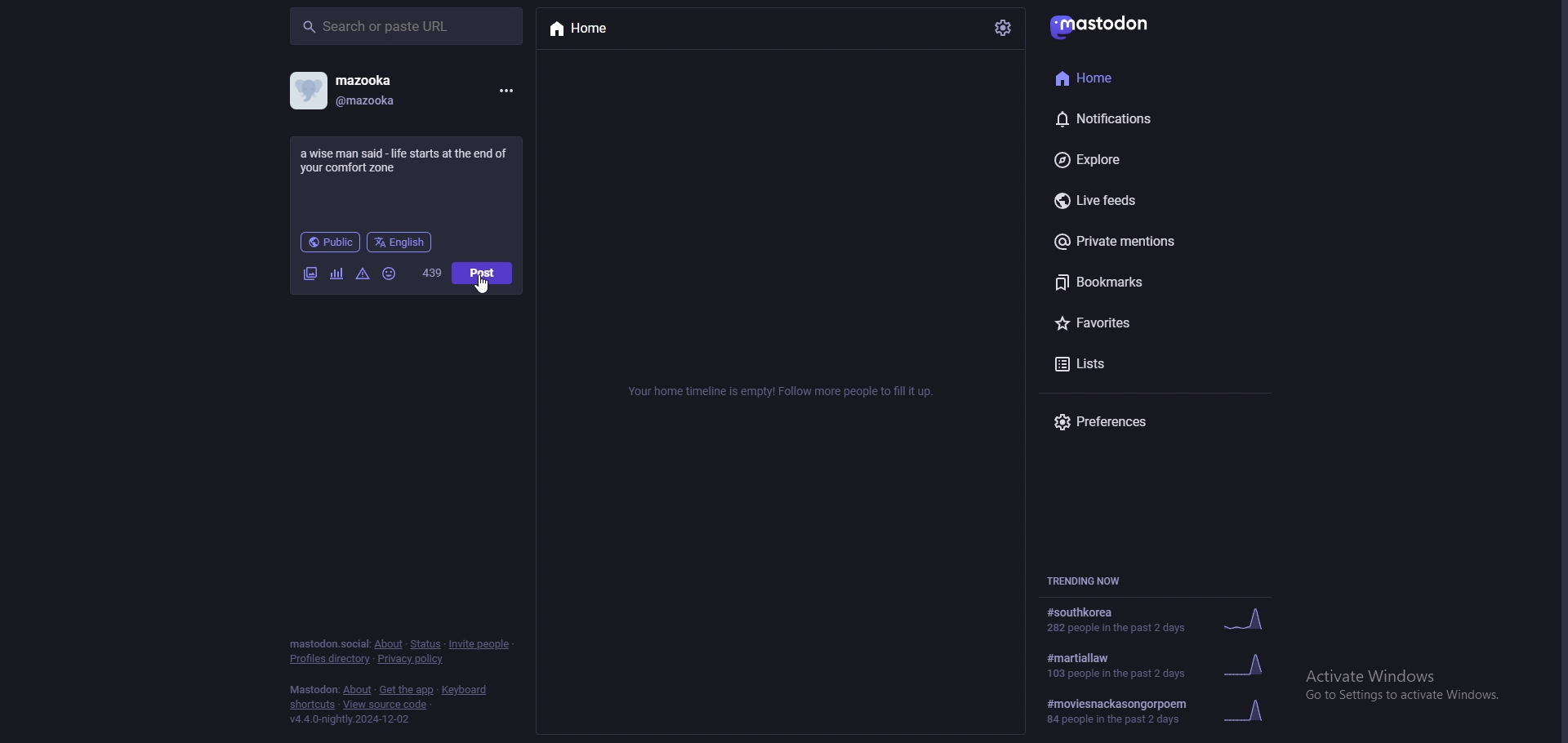 The height and width of the screenshot is (743, 1568). What do you see at coordinates (432, 273) in the screenshot?
I see `word limit` at bounding box center [432, 273].